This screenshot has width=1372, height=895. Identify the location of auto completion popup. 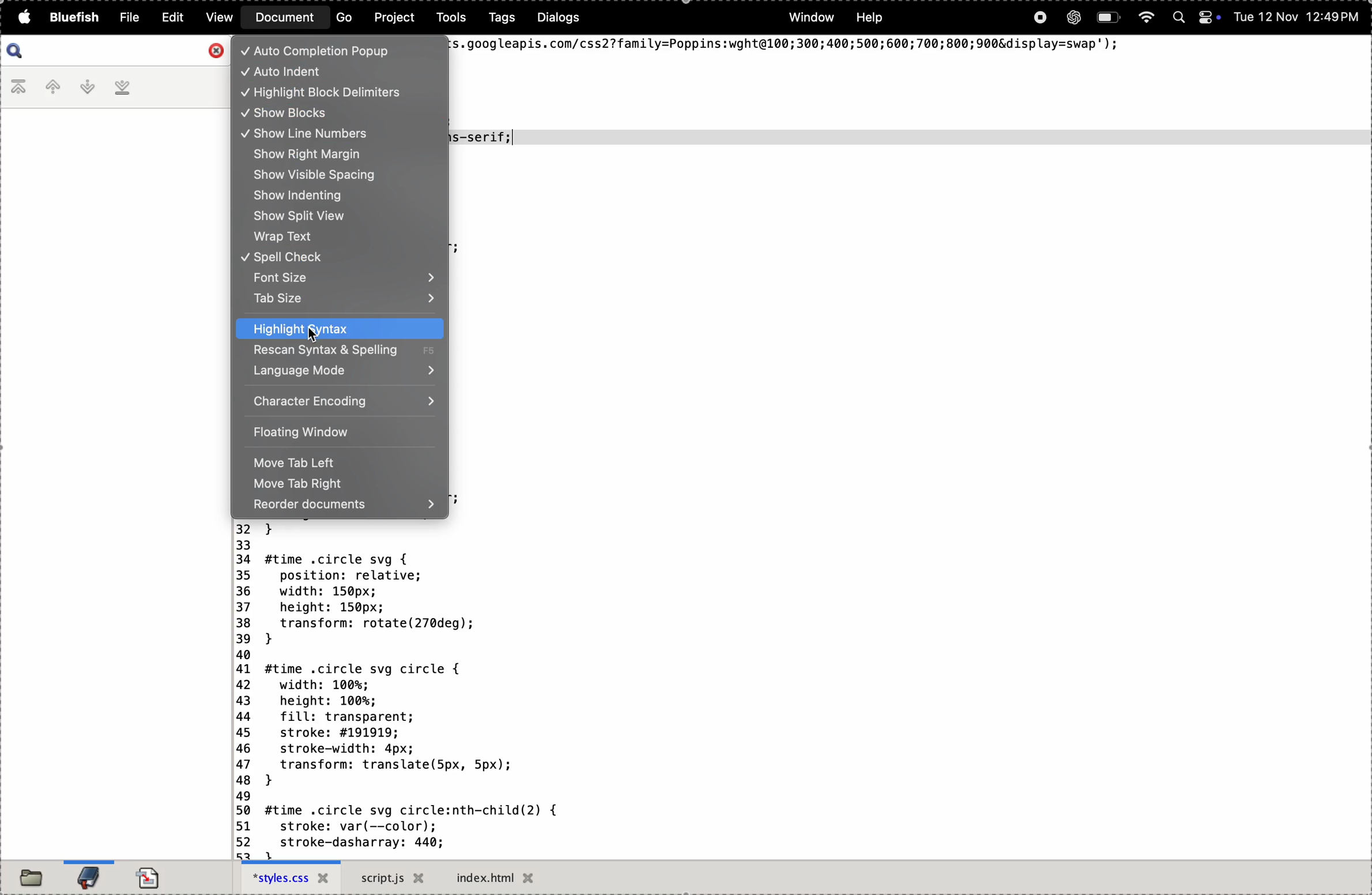
(332, 51).